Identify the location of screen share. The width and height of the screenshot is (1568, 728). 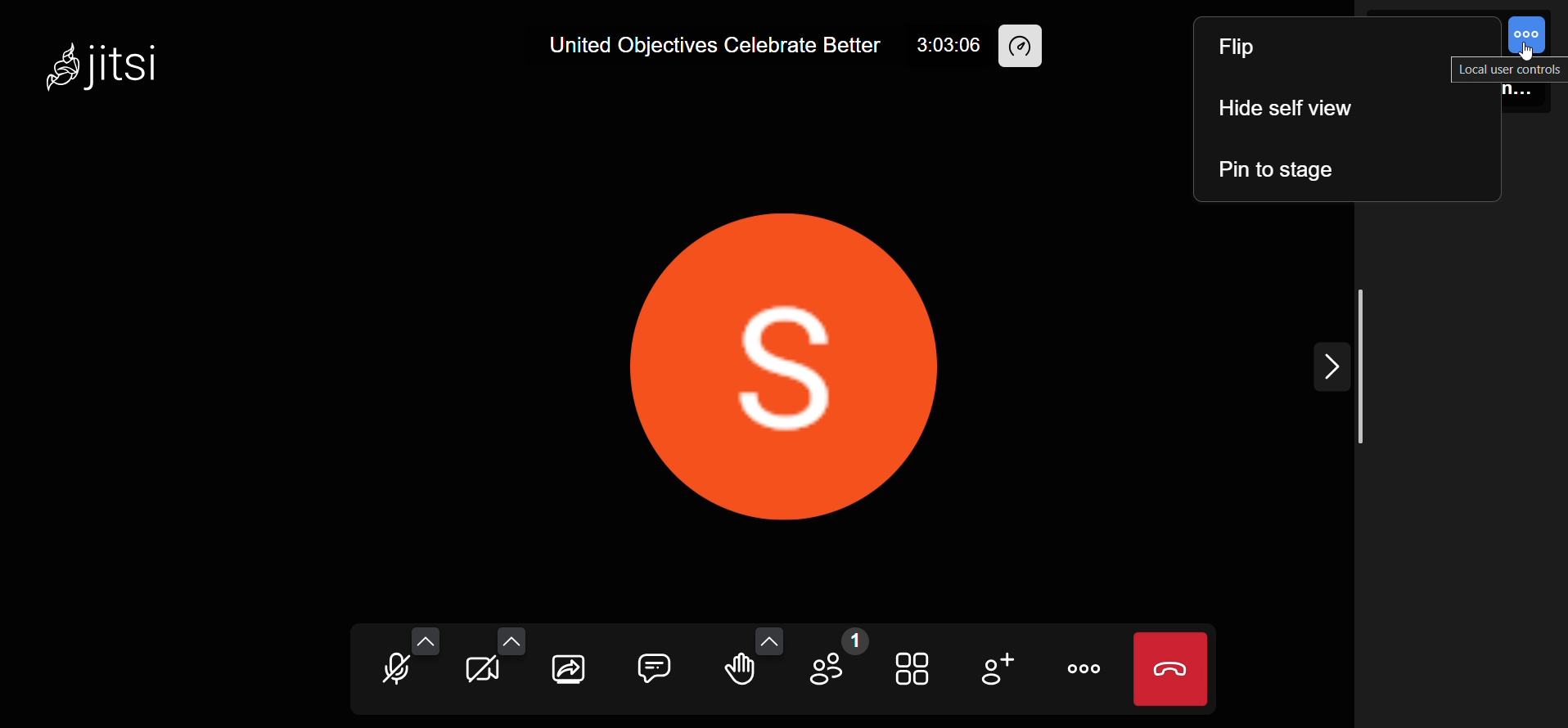
(570, 669).